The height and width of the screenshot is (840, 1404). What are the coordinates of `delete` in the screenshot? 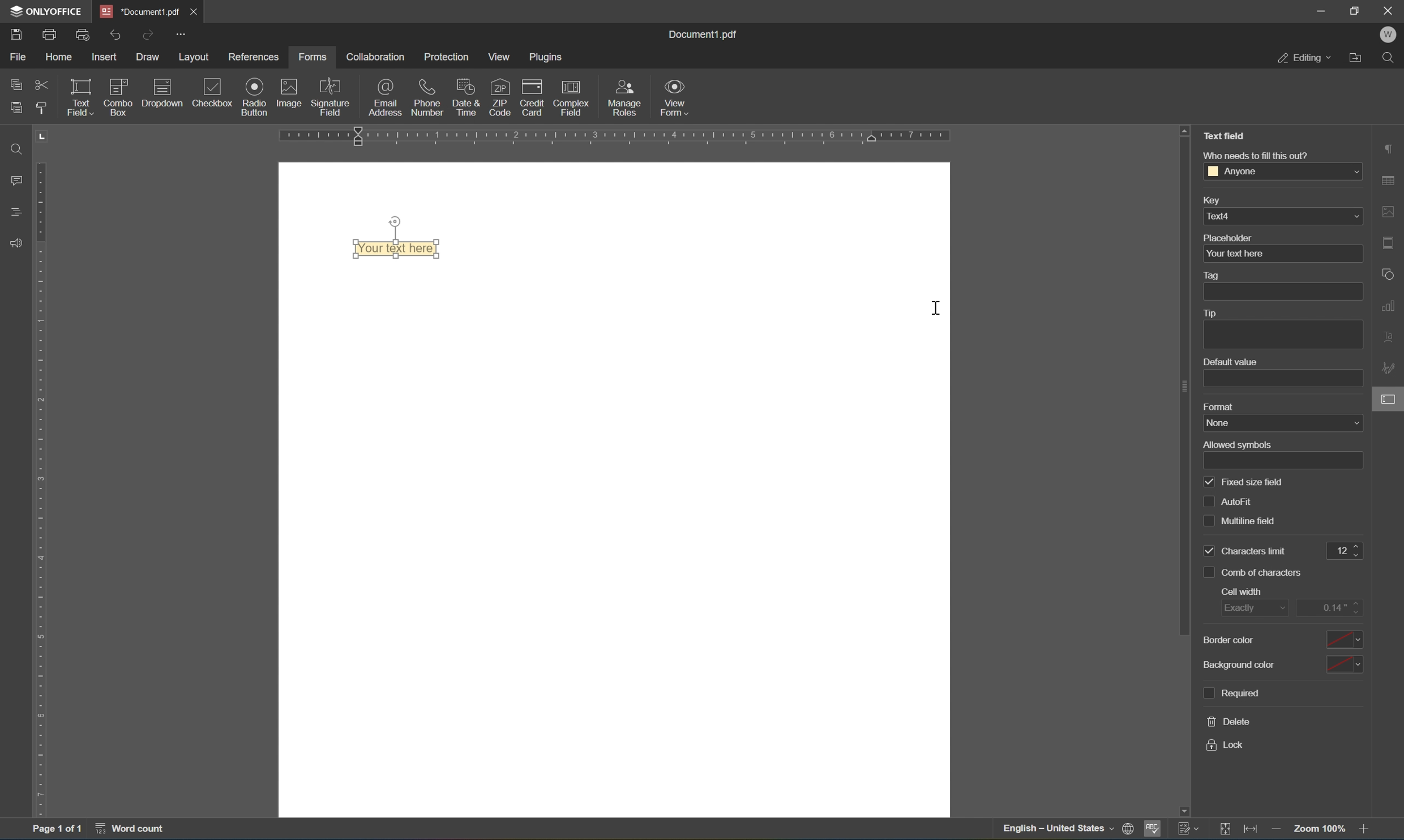 It's located at (1230, 722).